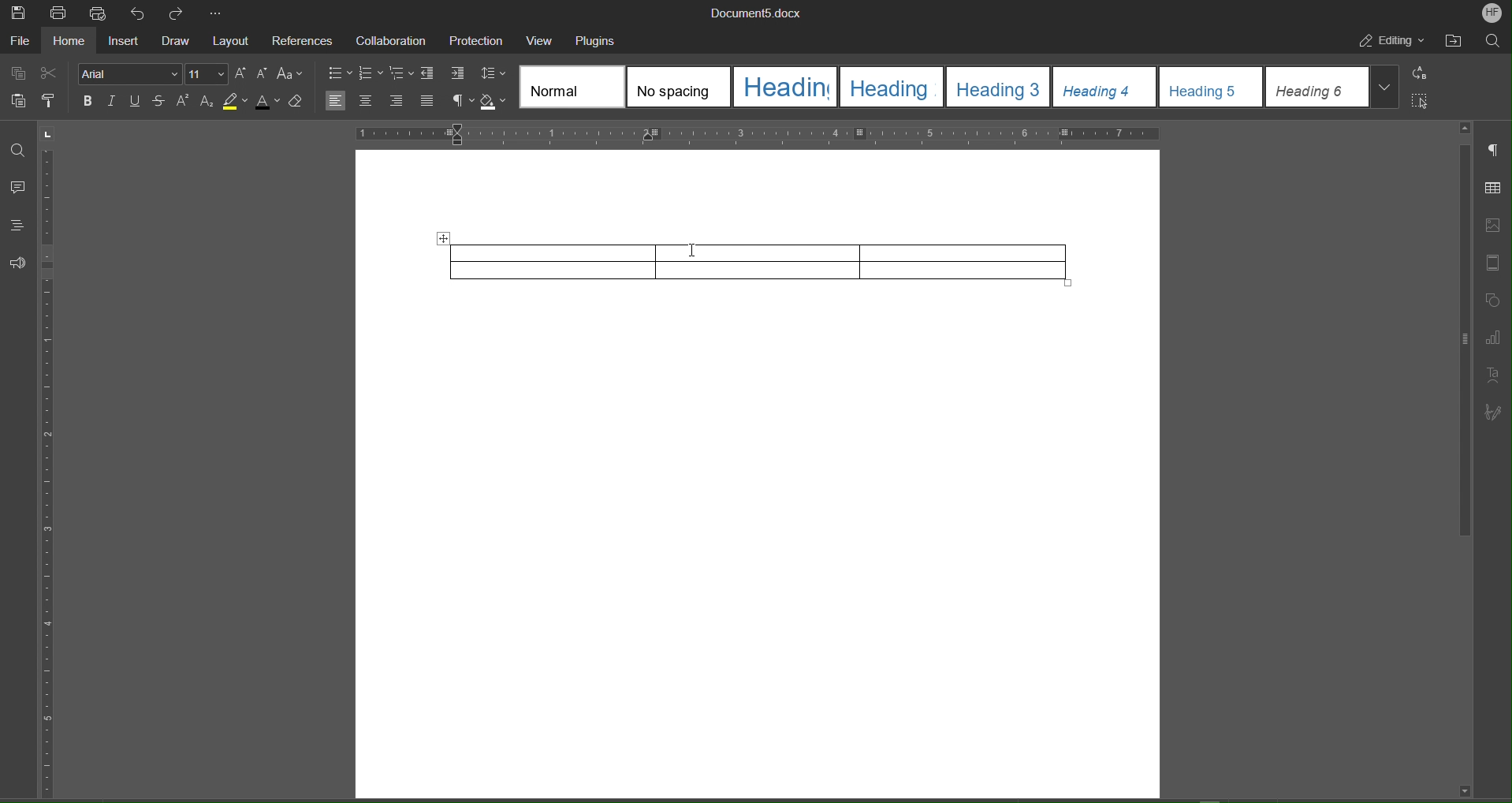 The image size is (1512, 803). What do you see at coordinates (142, 14) in the screenshot?
I see `Undo` at bounding box center [142, 14].